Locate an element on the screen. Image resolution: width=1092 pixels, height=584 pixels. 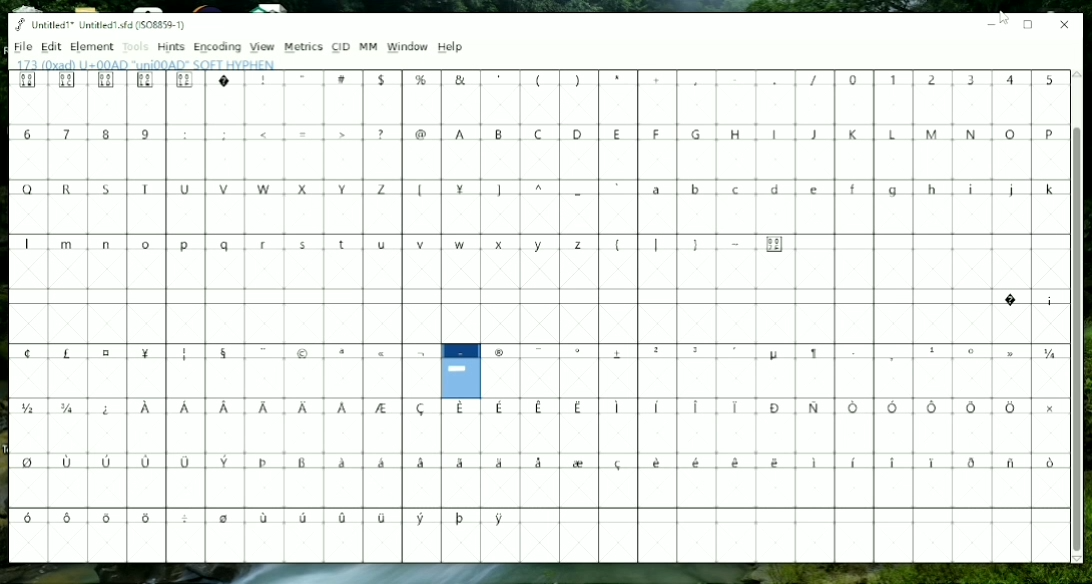
Minimize is located at coordinates (992, 23).